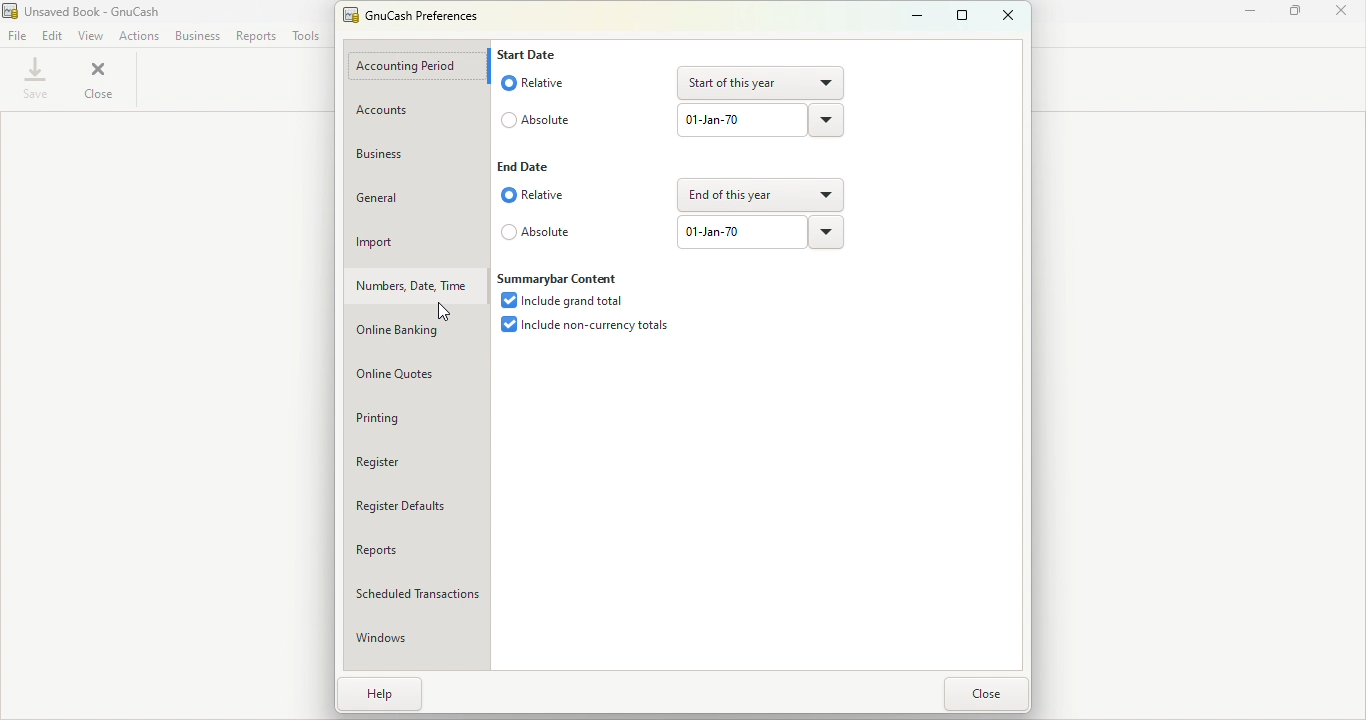 The width and height of the screenshot is (1366, 720). Describe the element at coordinates (439, 315) in the screenshot. I see `cursor` at that location.